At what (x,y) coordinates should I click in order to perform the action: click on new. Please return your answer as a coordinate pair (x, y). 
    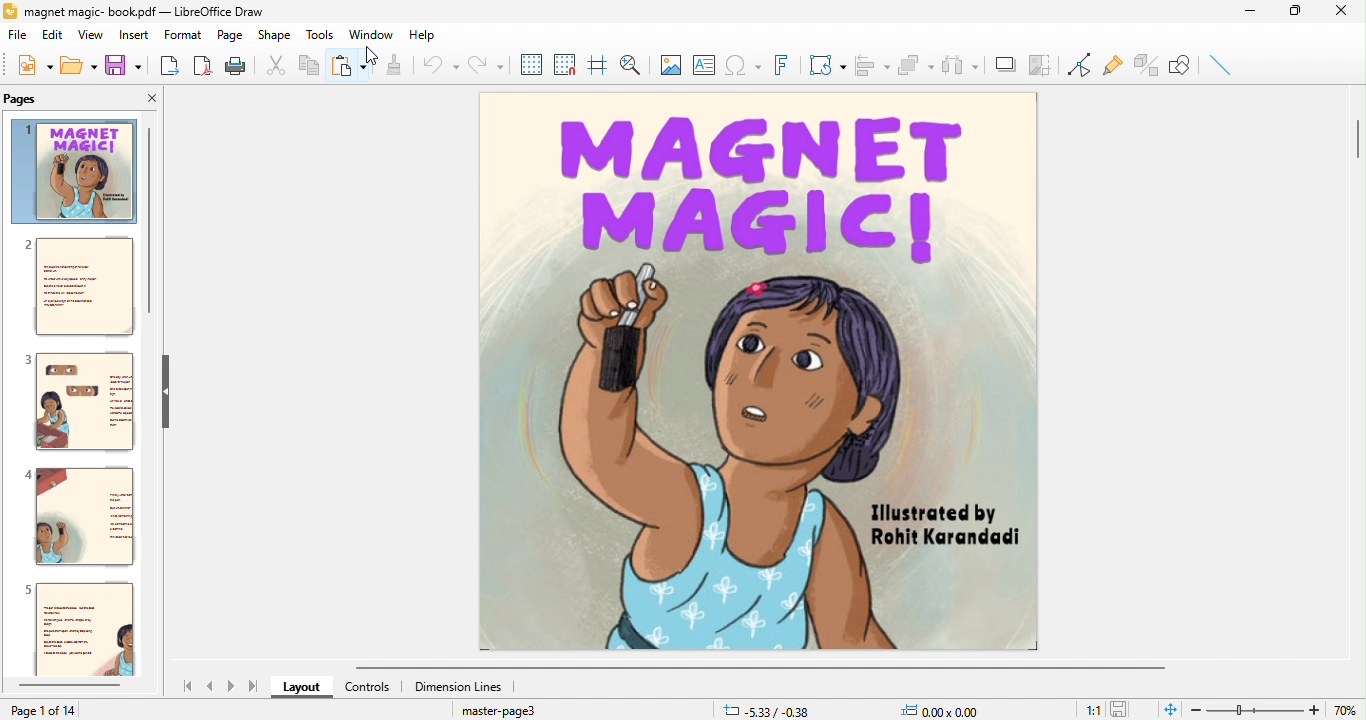
    Looking at the image, I should click on (31, 68).